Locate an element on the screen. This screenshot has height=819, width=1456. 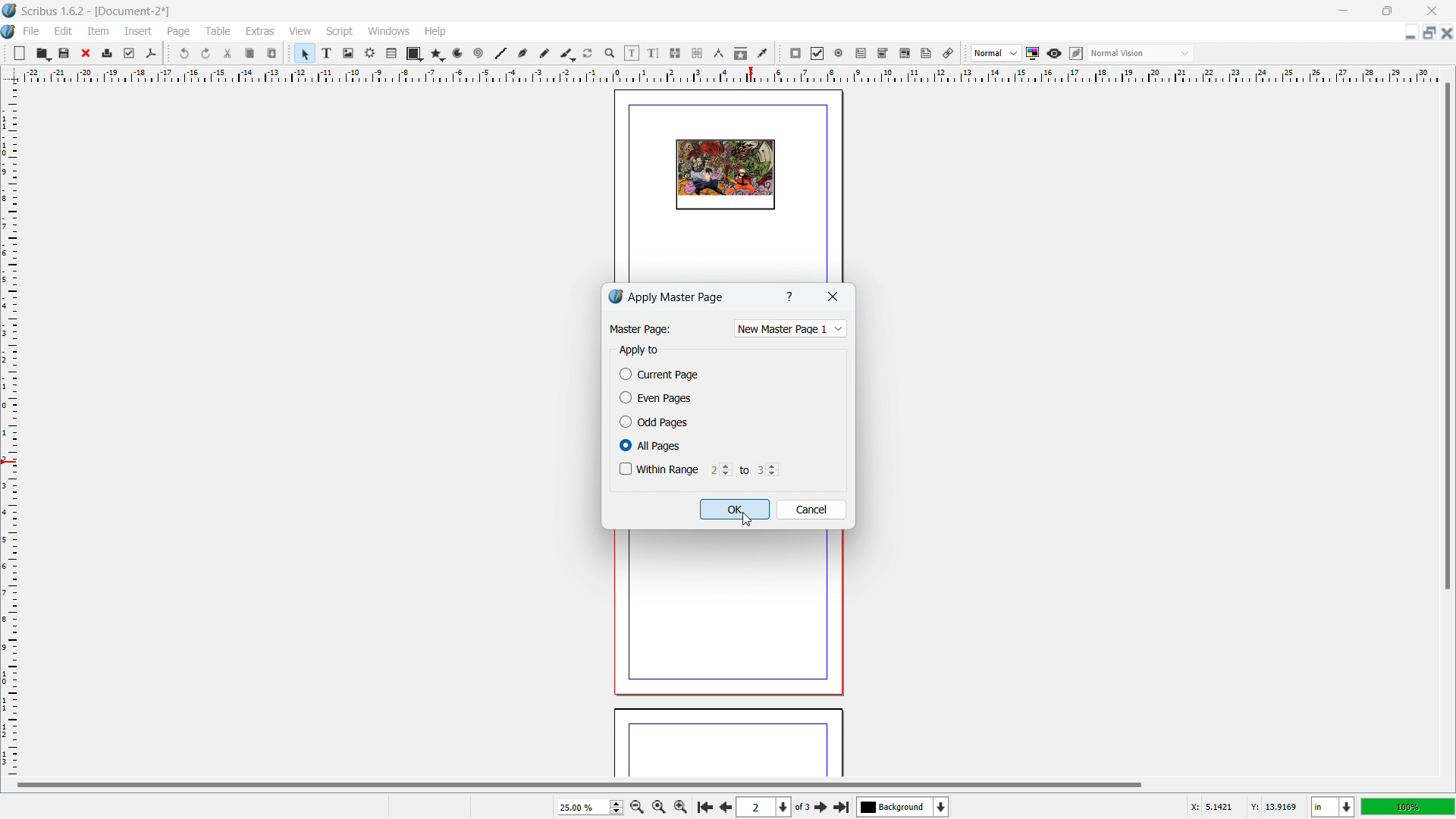
insert is located at coordinates (140, 31).